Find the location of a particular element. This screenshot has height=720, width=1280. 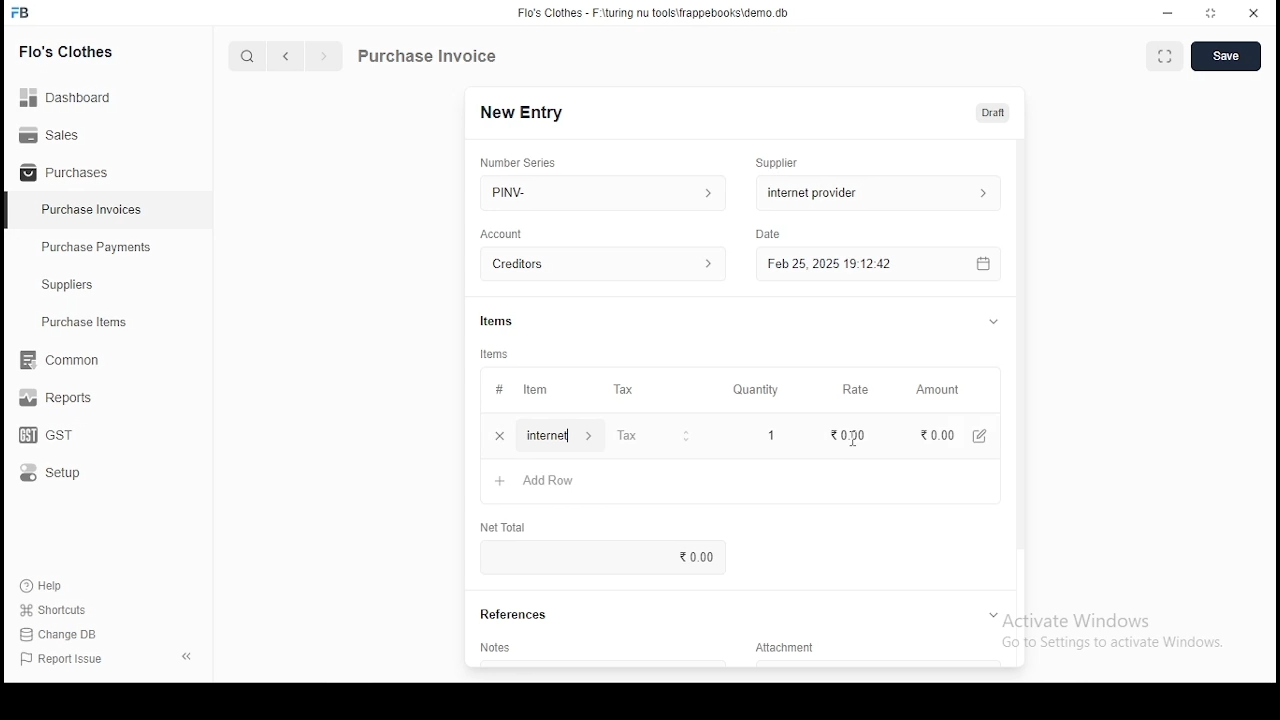

0.00 is located at coordinates (702, 556).